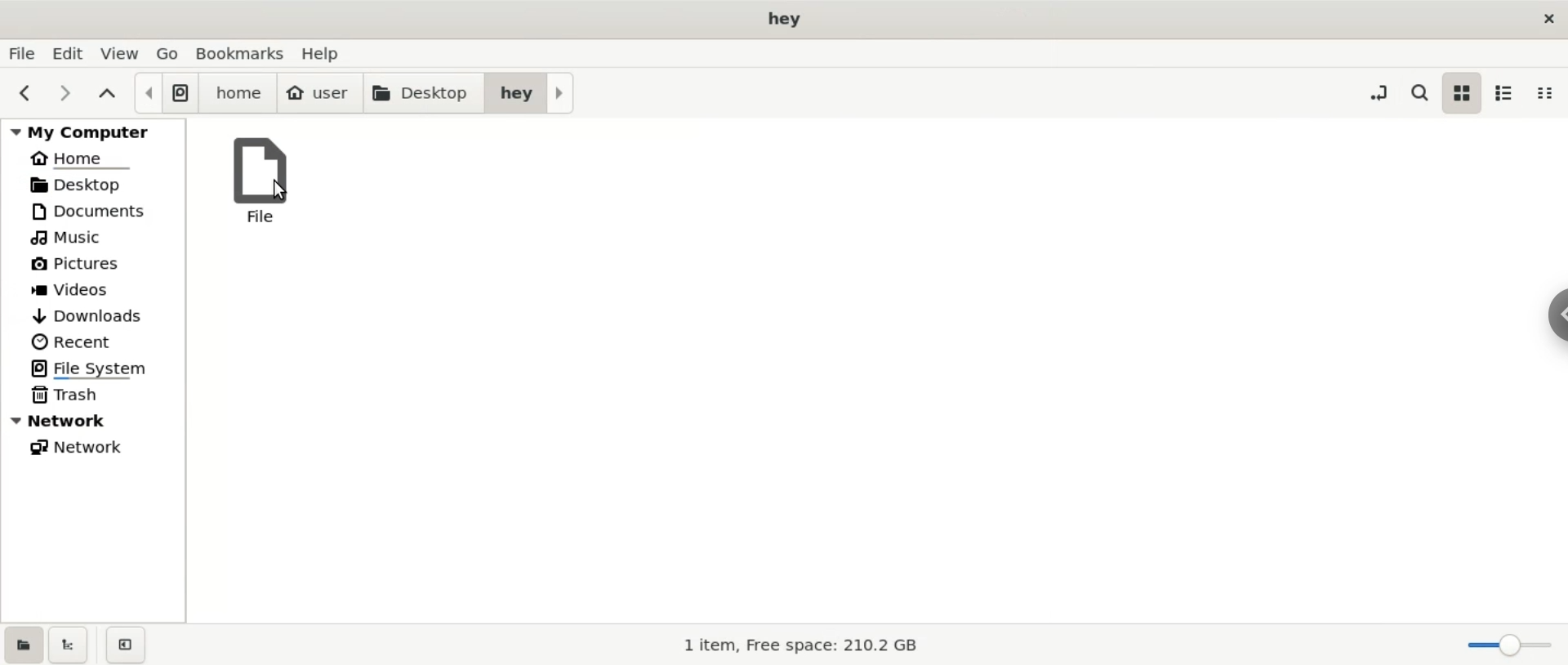 The image size is (1568, 665). What do you see at coordinates (109, 95) in the screenshot?
I see `parent folder` at bounding box center [109, 95].